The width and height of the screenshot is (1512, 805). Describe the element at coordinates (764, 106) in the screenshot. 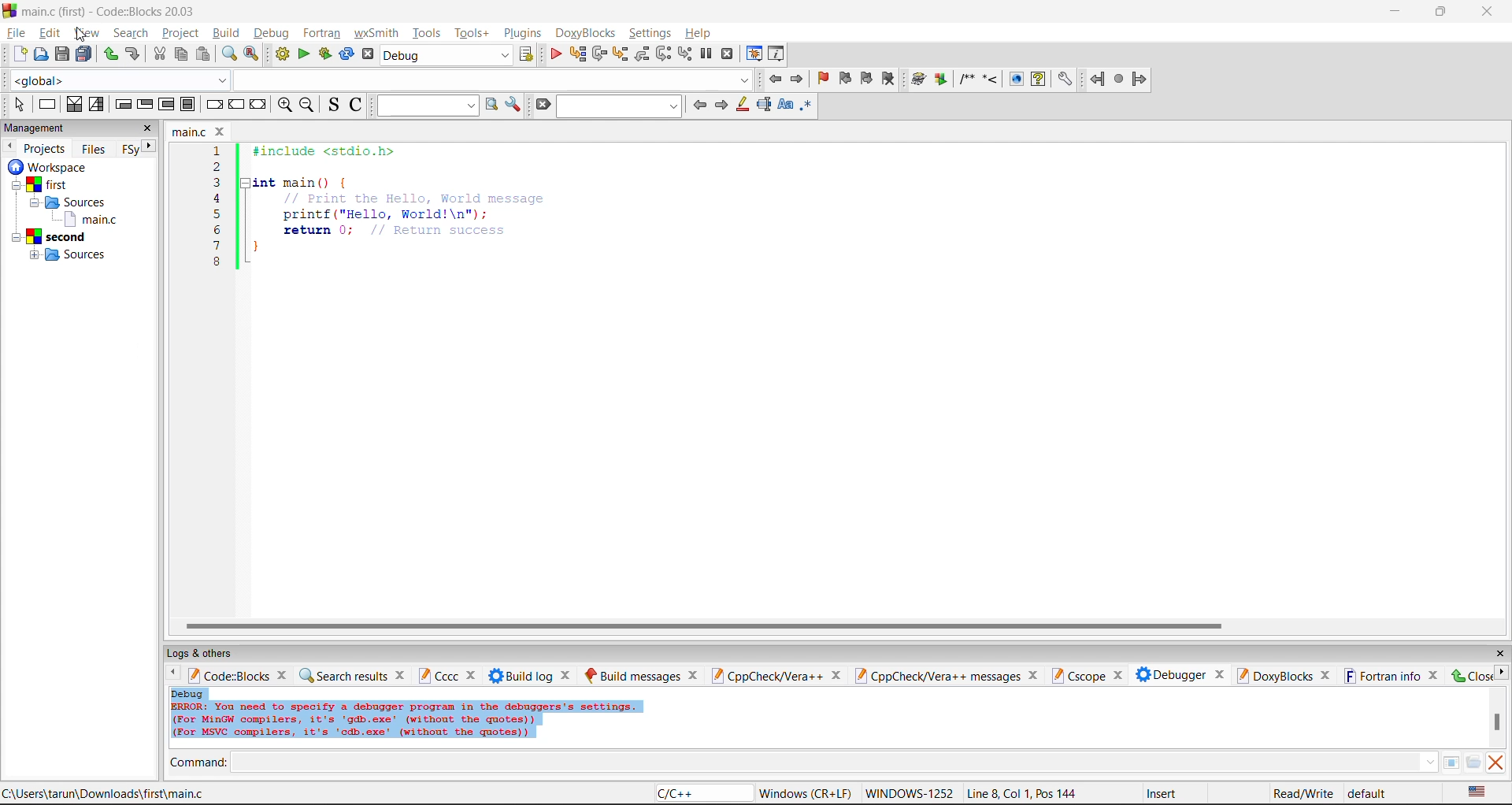

I see `selected text` at that location.